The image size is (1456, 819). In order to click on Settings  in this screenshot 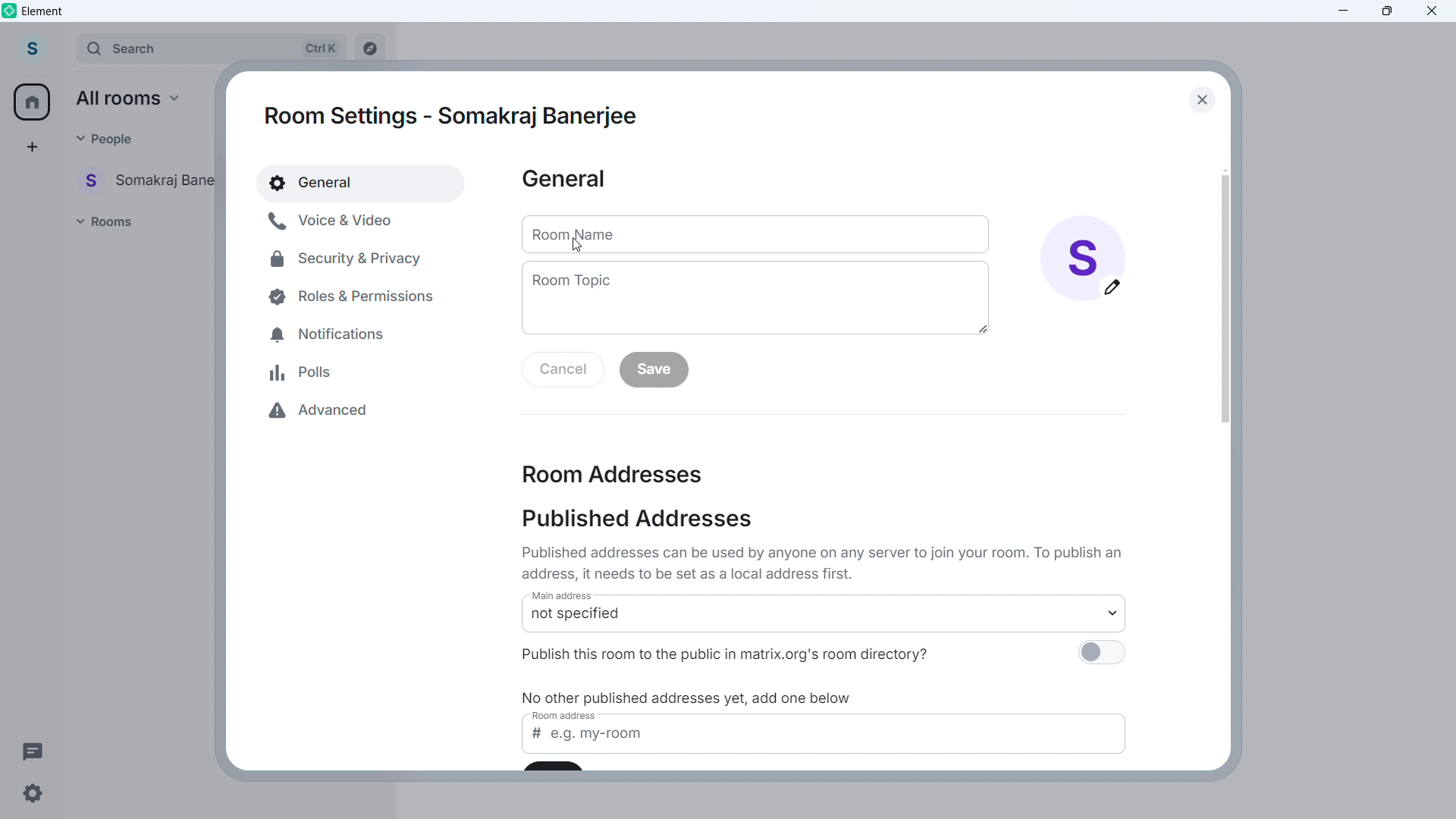, I will do `click(32, 797)`.